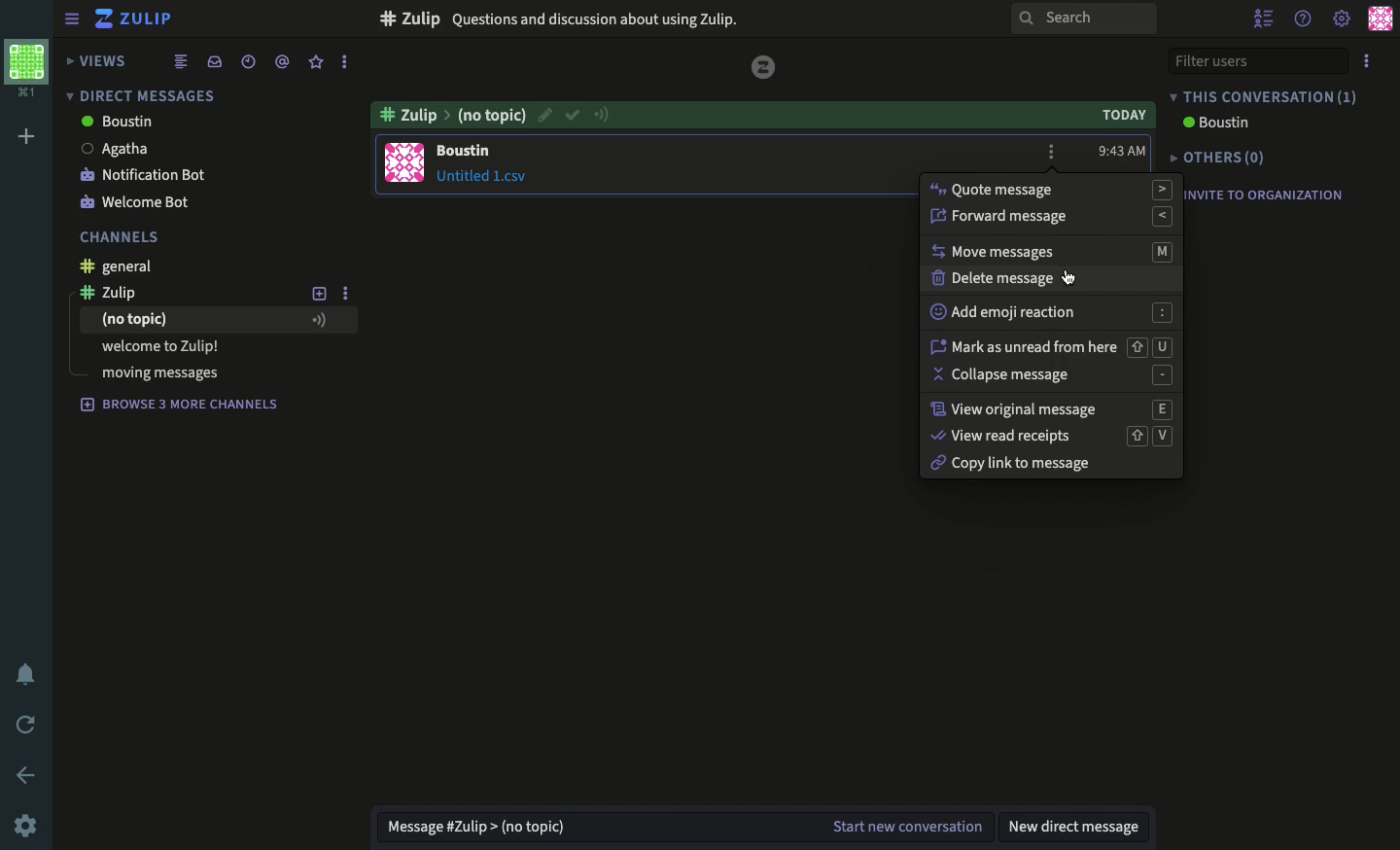 This screenshot has height=850, width=1400. What do you see at coordinates (607, 116) in the screenshot?
I see `connection` at bounding box center [607, 116].